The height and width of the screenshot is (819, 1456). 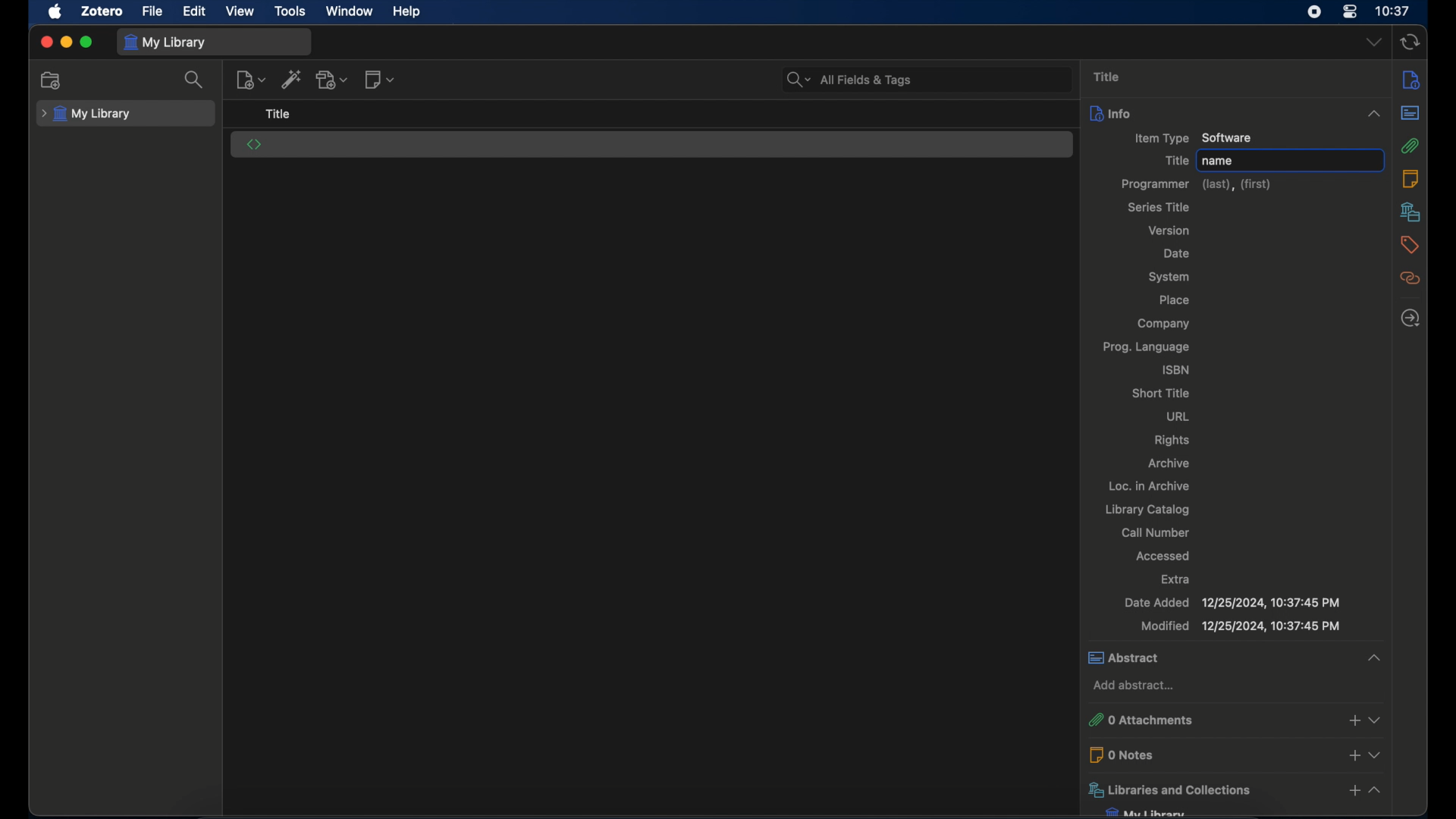 What do you see at coordinates (1178, 416) in the screenshot?
I see `url` at bounding box center [1178, 416].